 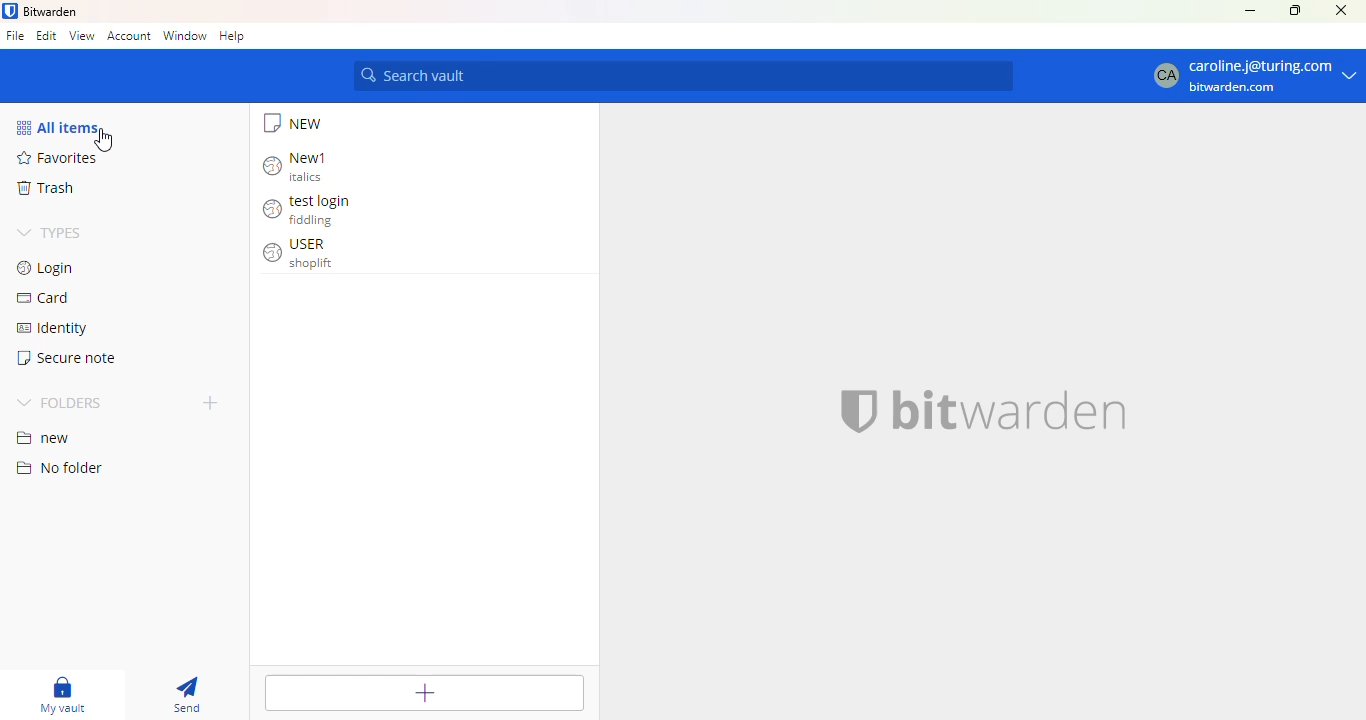 I want to click on identity, so click(x=52, y=328).